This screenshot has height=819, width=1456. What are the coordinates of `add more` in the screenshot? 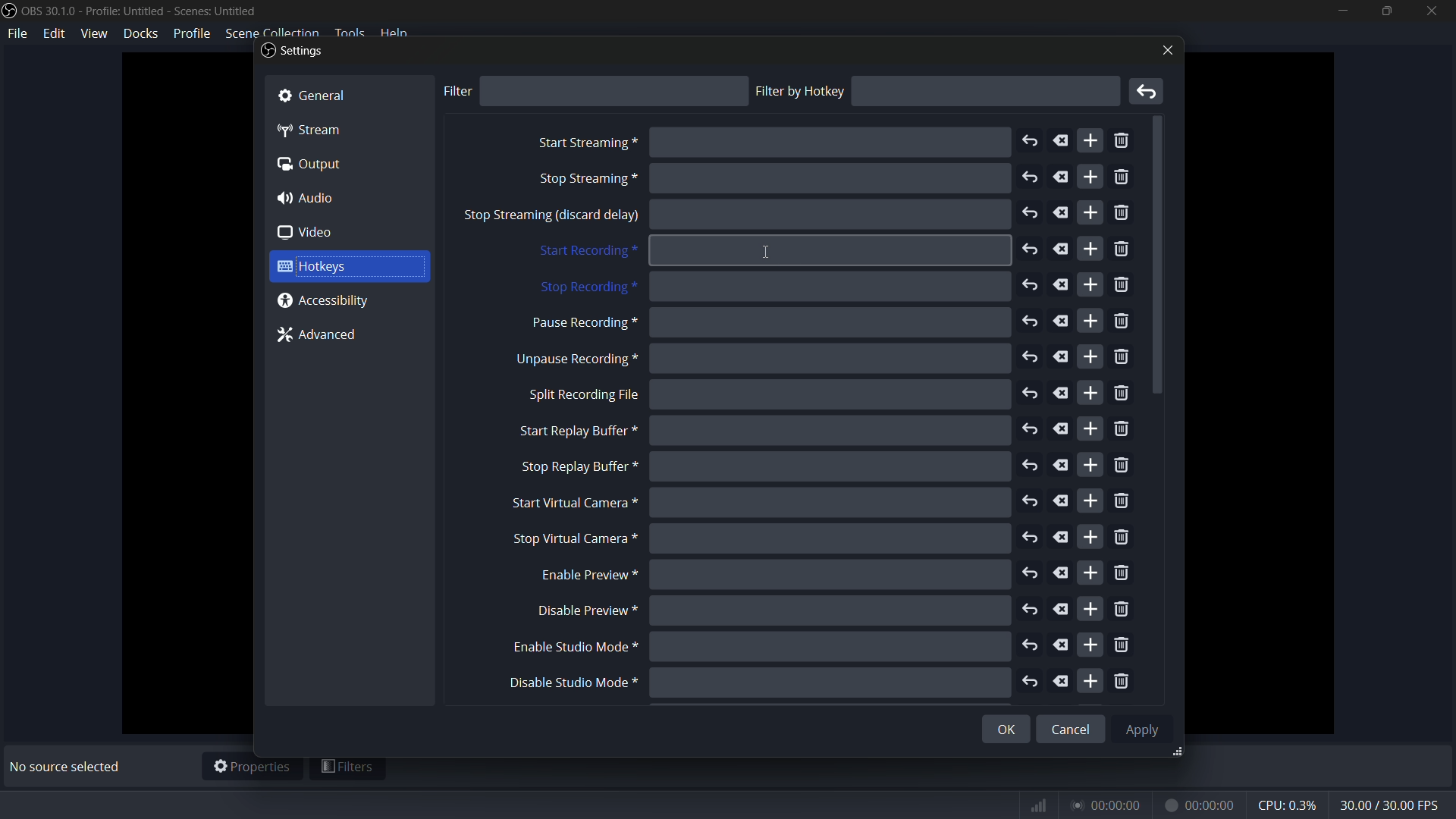 It's located at (1090, 142).